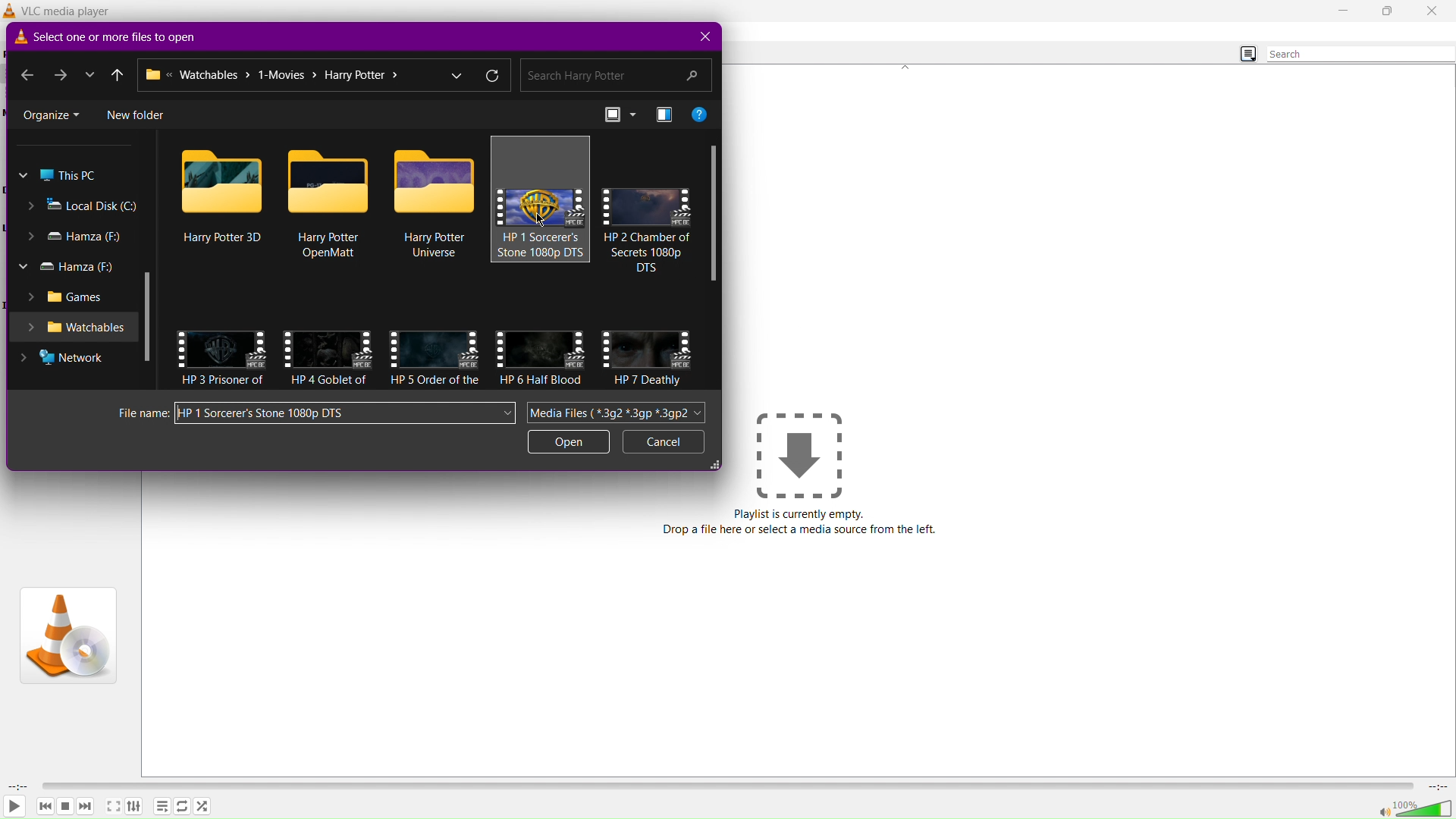 The width and height of the screenshot is (1456, 819). I want to click on video file, so click(328, 347).